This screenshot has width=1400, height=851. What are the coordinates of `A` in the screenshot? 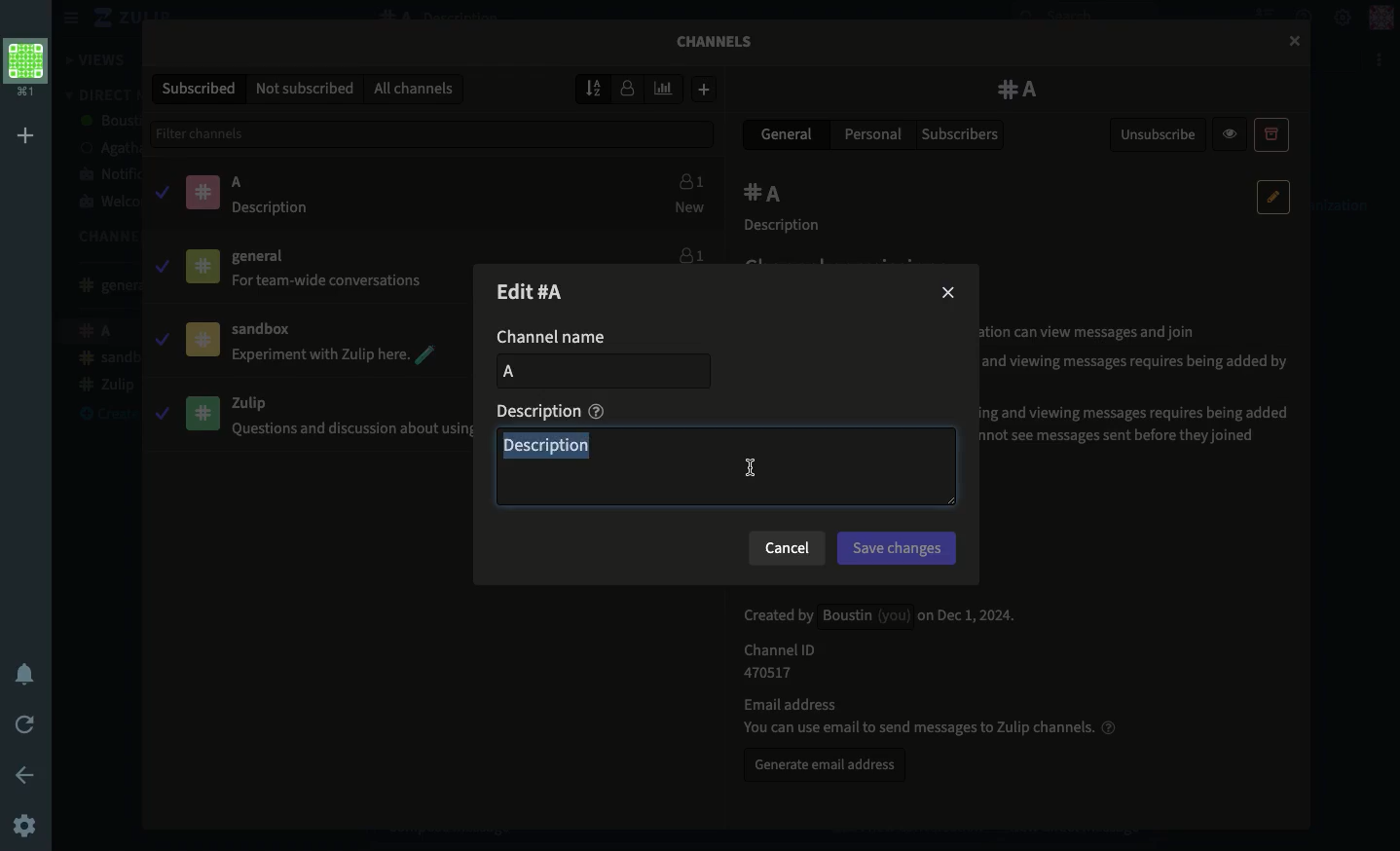 It's located at (767, 195).